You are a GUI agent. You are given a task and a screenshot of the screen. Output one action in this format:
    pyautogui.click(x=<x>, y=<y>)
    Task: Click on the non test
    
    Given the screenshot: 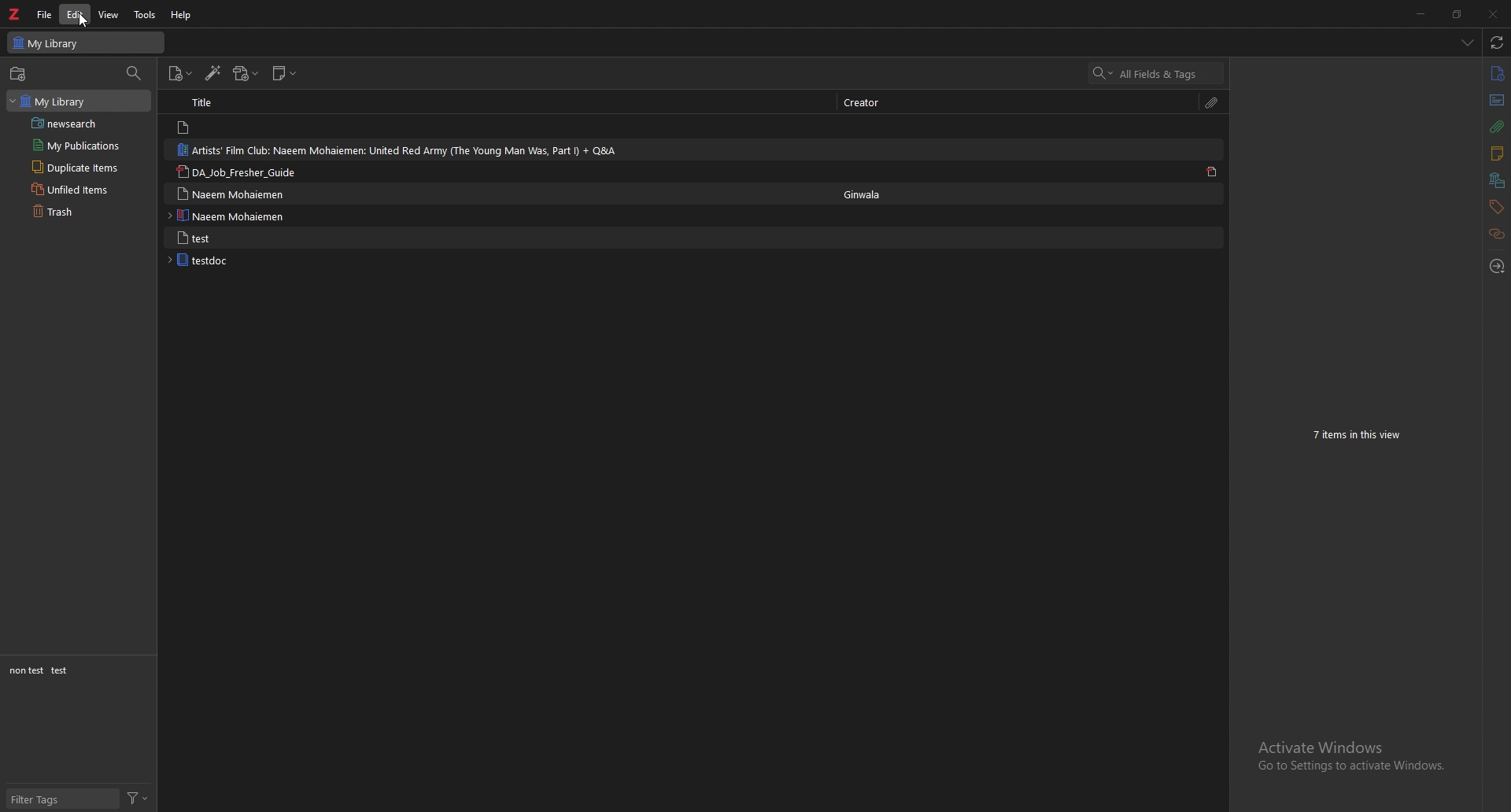 What is the action you would take?
    pyautogui.click(x=25, y=671)
    